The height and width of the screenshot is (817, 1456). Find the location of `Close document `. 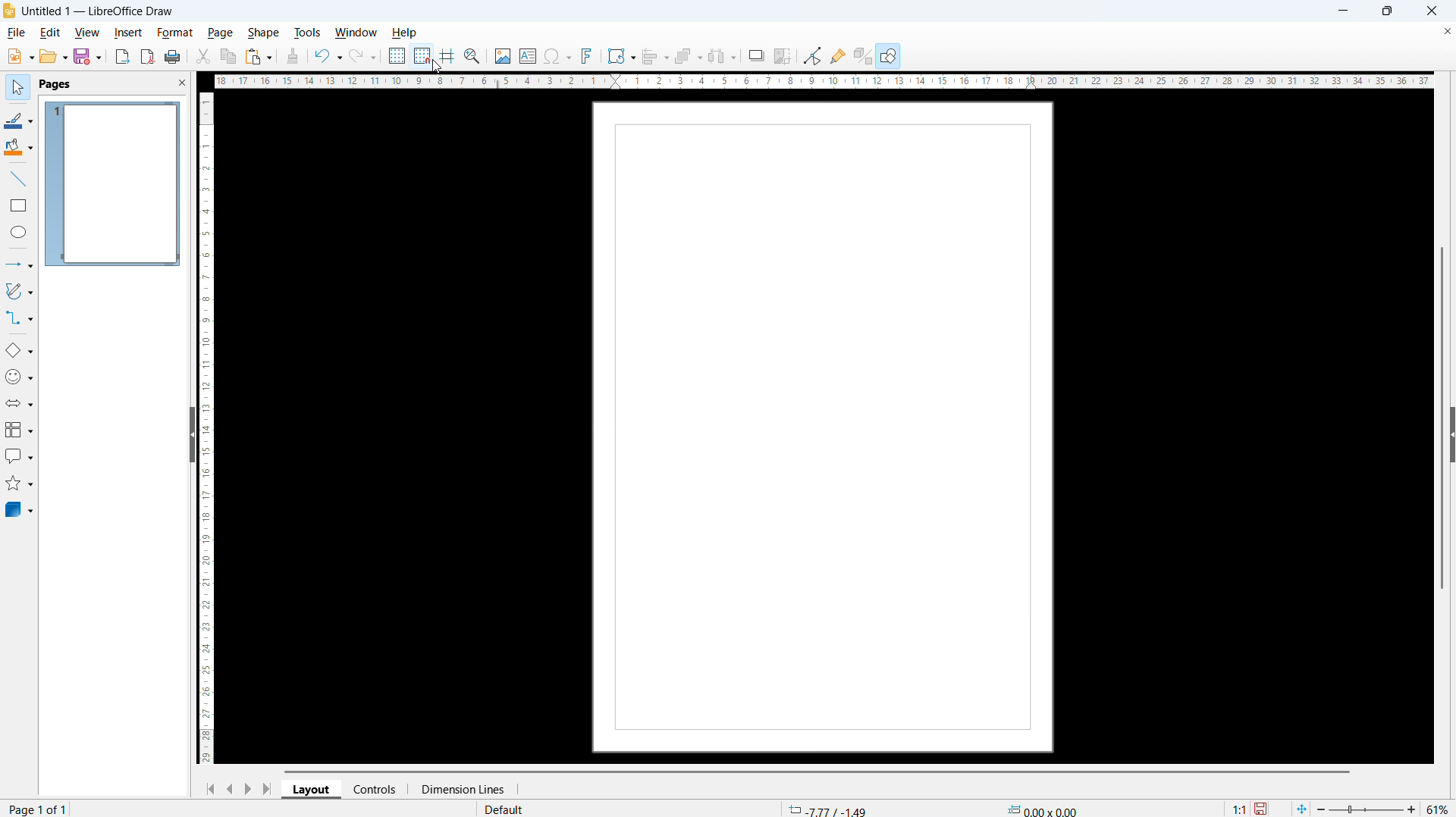

Close document  is located at coordinates (1447, 30).